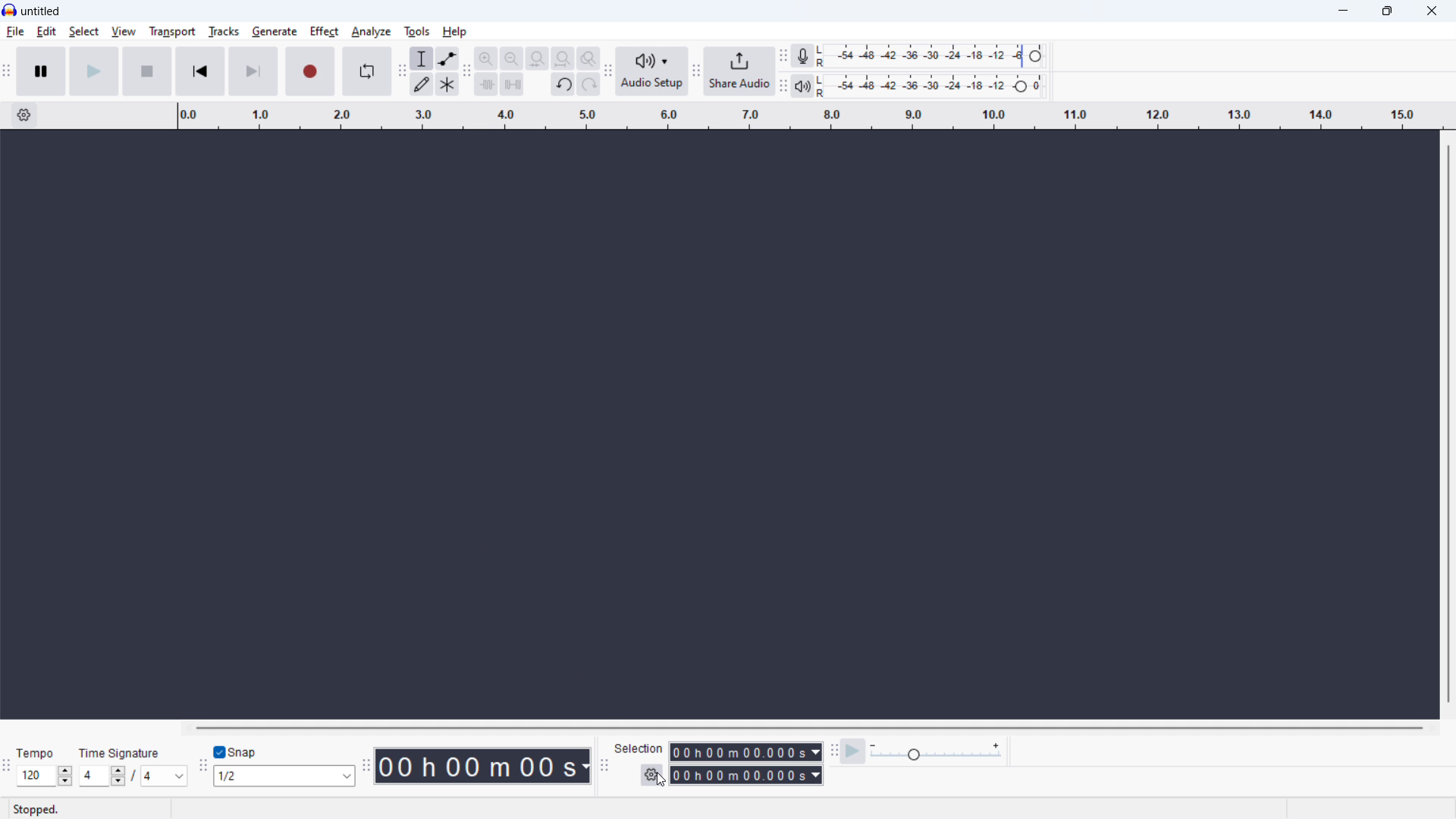 The image size is (1456, 819). What do you see at coordinates (1338, 11) in the screenshot?
I see `minimize` at bounding box center [1338, 11].